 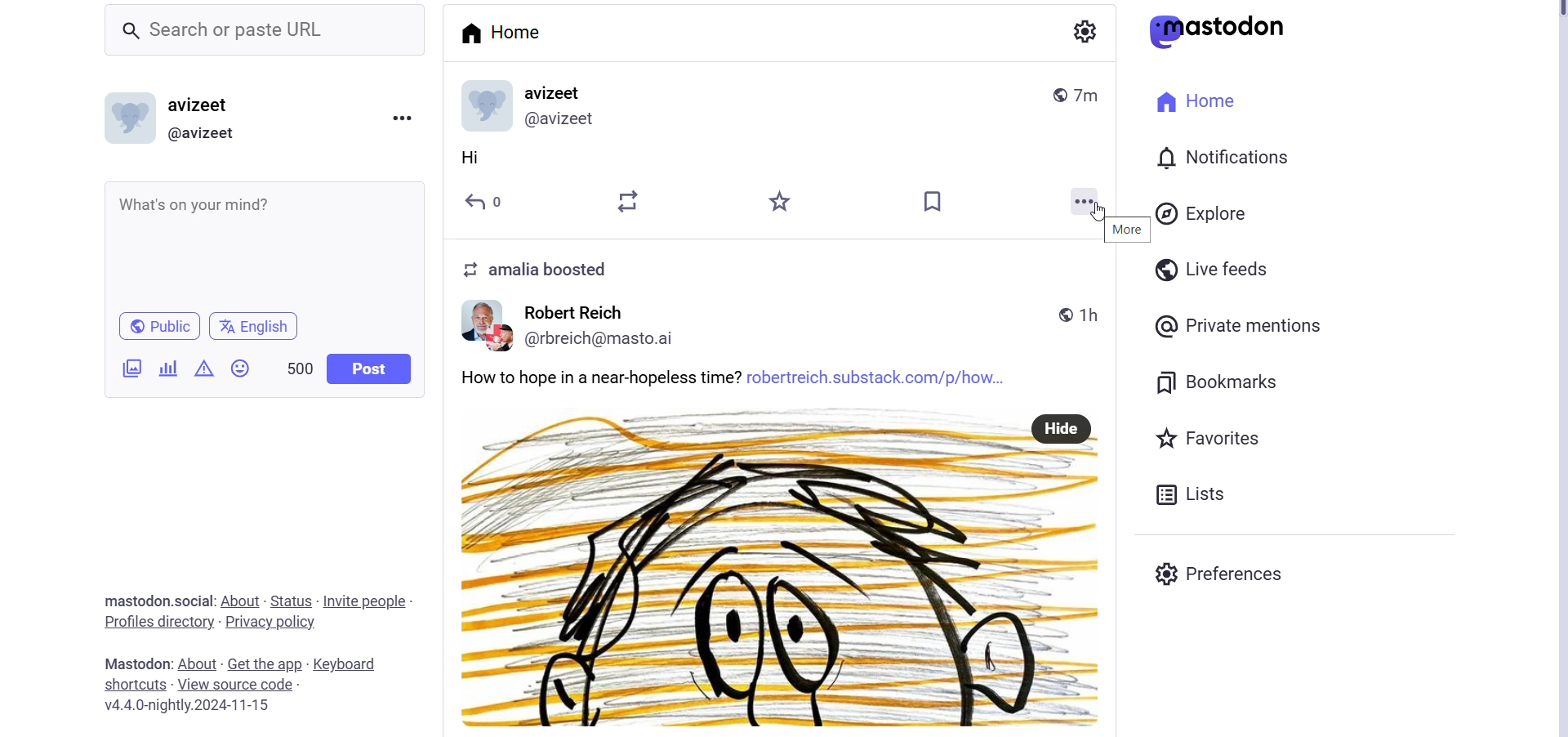 I want to click on Invite People, so click(x=367, y=601).